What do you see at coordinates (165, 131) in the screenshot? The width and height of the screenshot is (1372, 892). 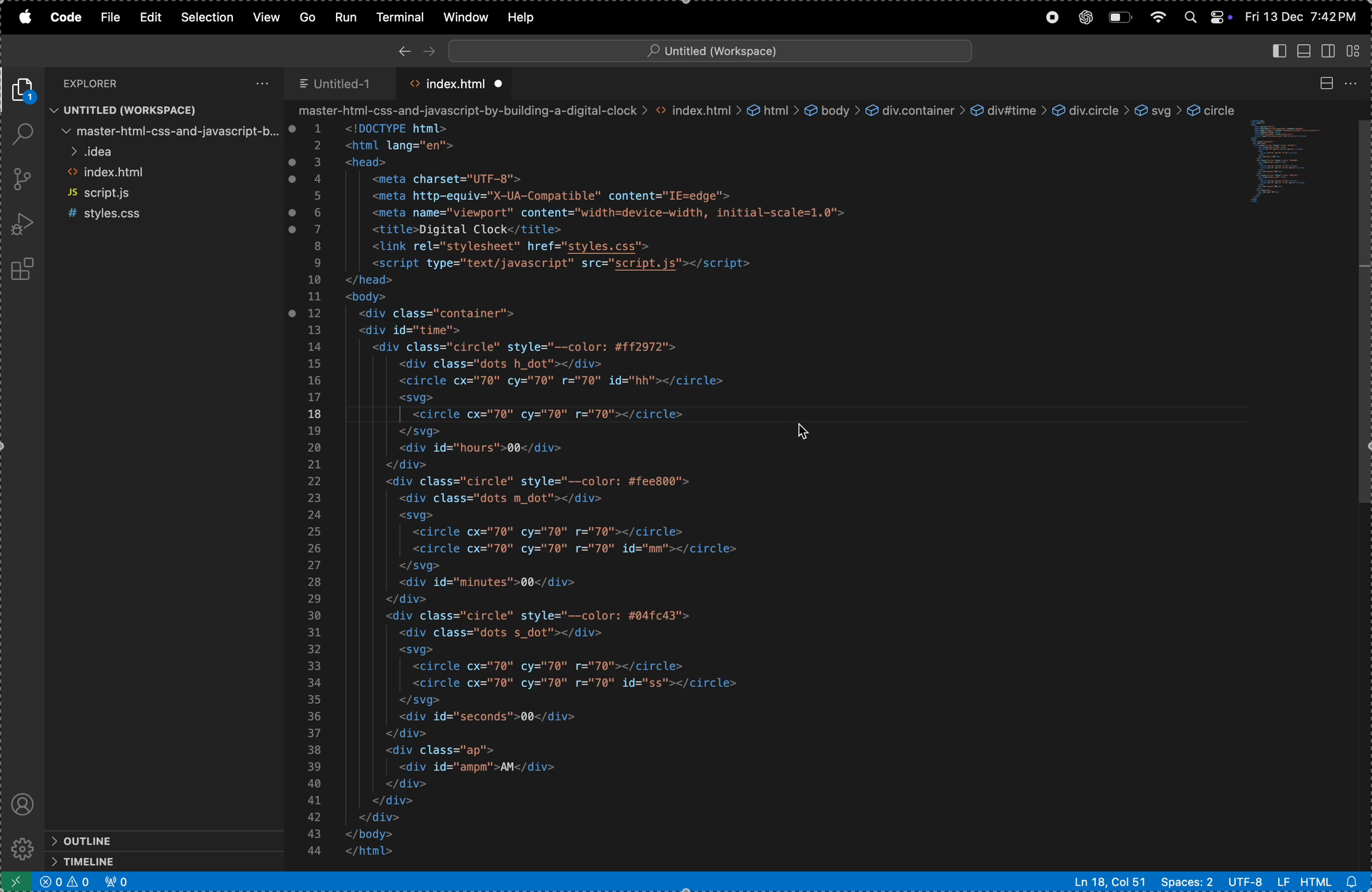 I see `master html css java script` at bounding box center [165, 131].